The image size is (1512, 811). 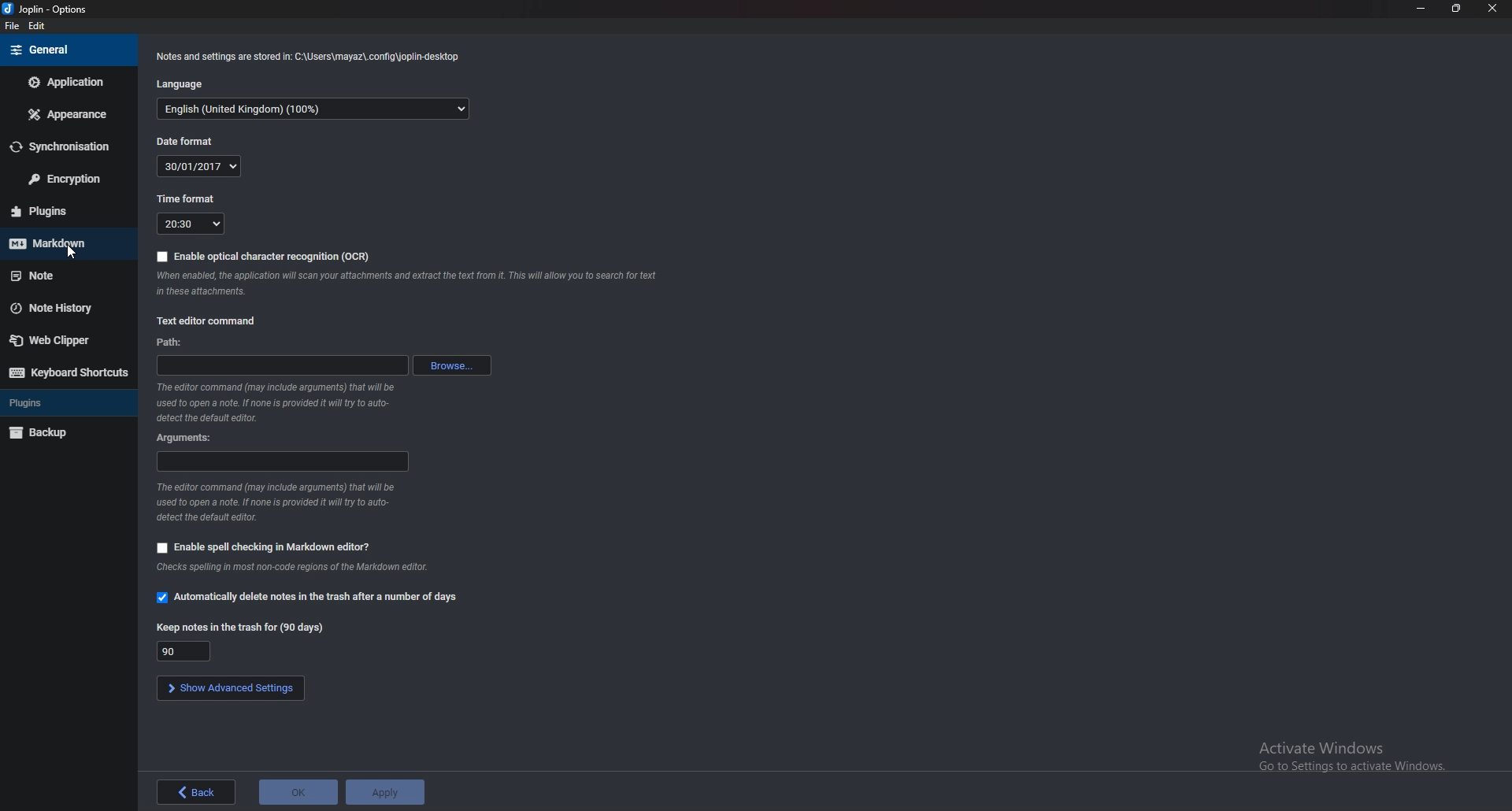 What do you see at coordinates (313, 58) in the screenshot?
I see `Info on notes and settings` at bounding box center [313, 58].